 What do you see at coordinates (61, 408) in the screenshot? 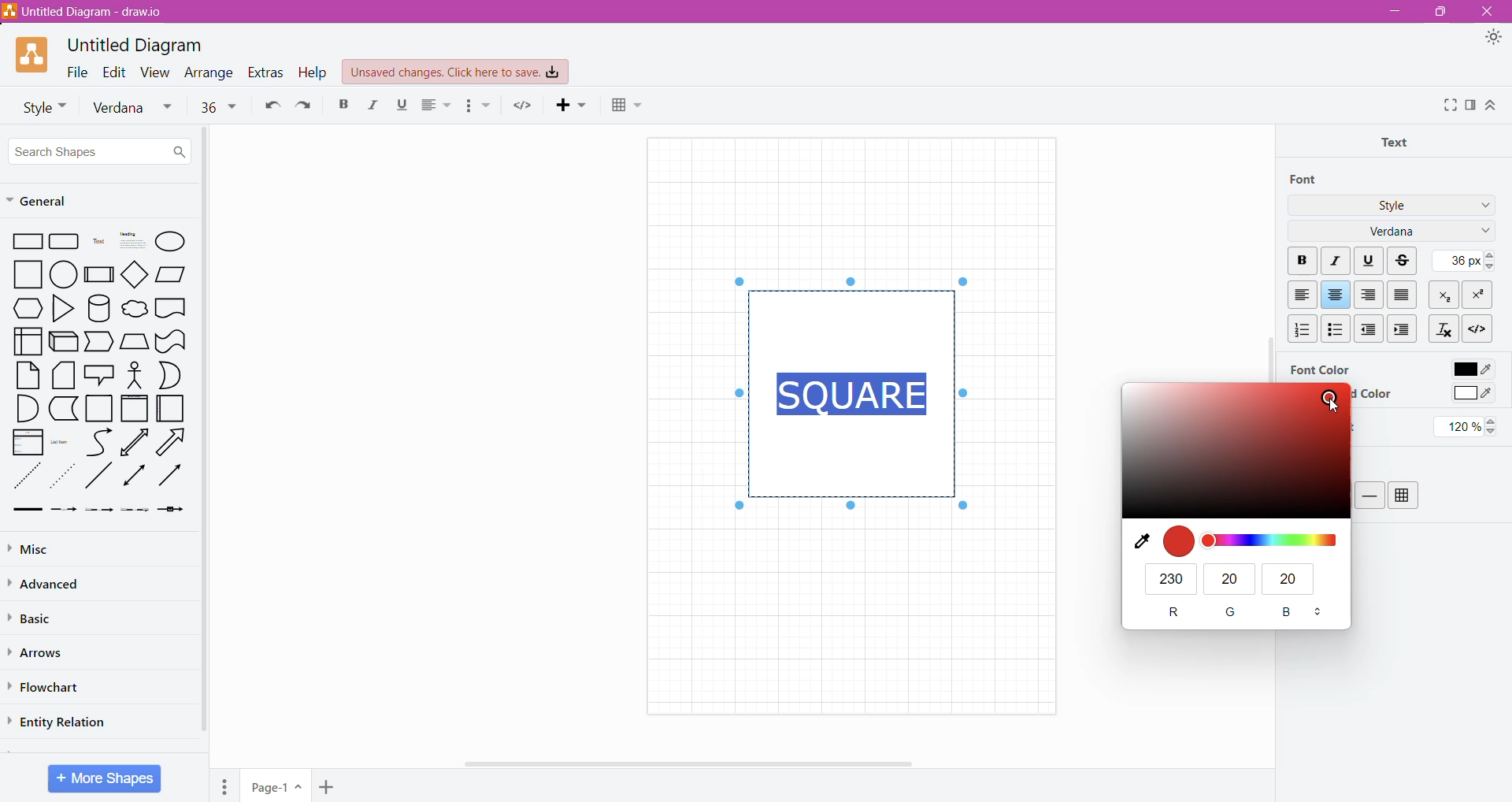
I see `L-Shaped Rectangle` at bounding box center [61, 408].